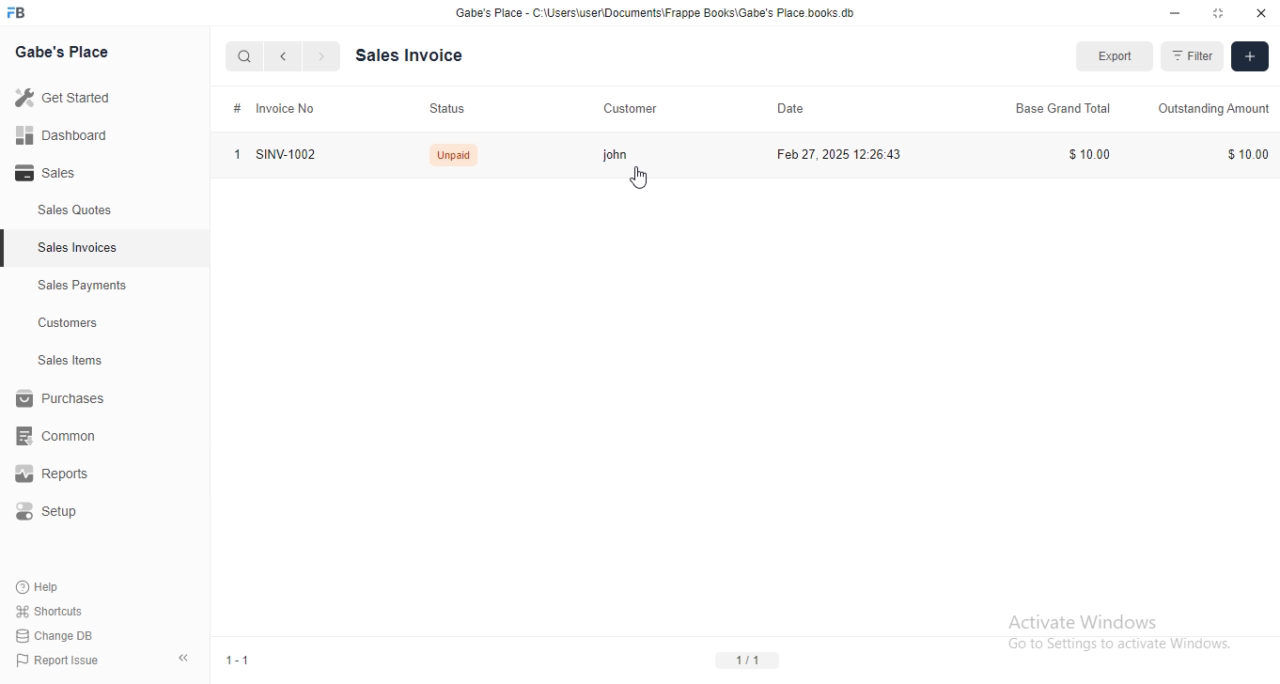 This screenshot has width=1280, height=684. Describe the element at coordinates (1260, 12) in the screenshot. I see `close` at that location.